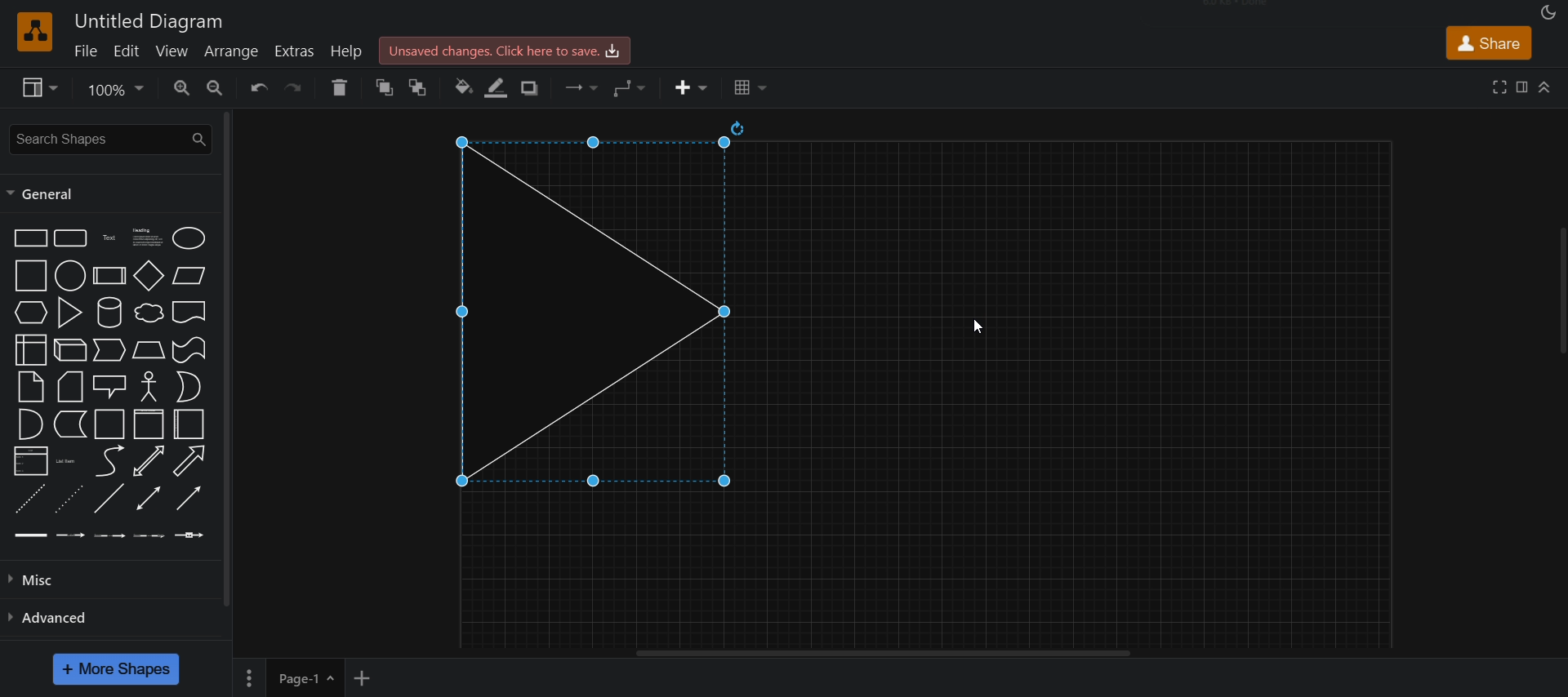 This screenshot has height=697, width=1568. I want to click on trapezoid, so click(149, 350).